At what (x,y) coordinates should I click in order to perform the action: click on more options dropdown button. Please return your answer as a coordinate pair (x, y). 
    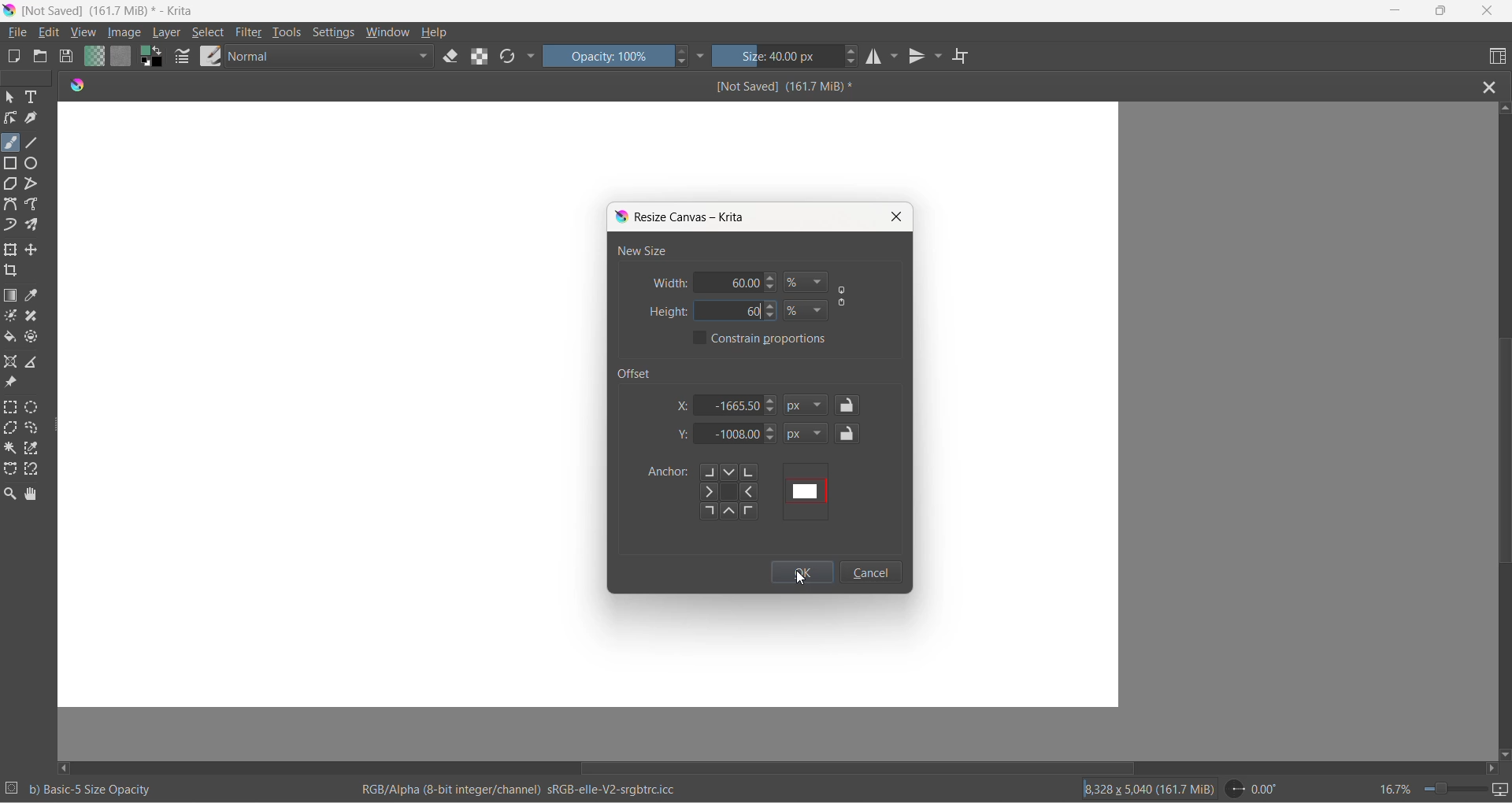
    Looking at the image, I should click on (531, 57).